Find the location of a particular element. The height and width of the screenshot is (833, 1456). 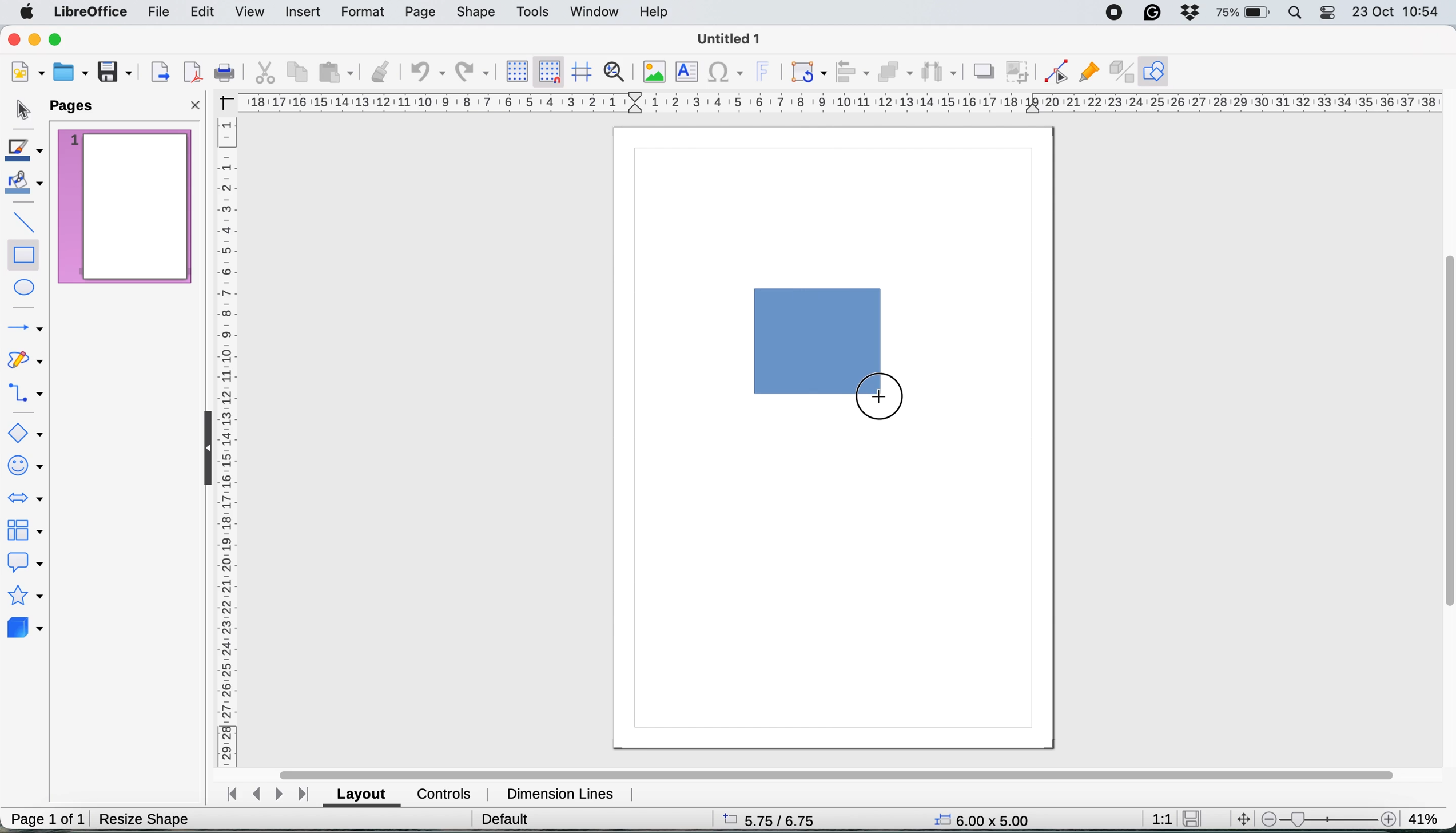

symbol shapes is located at coordinates (24, 463).